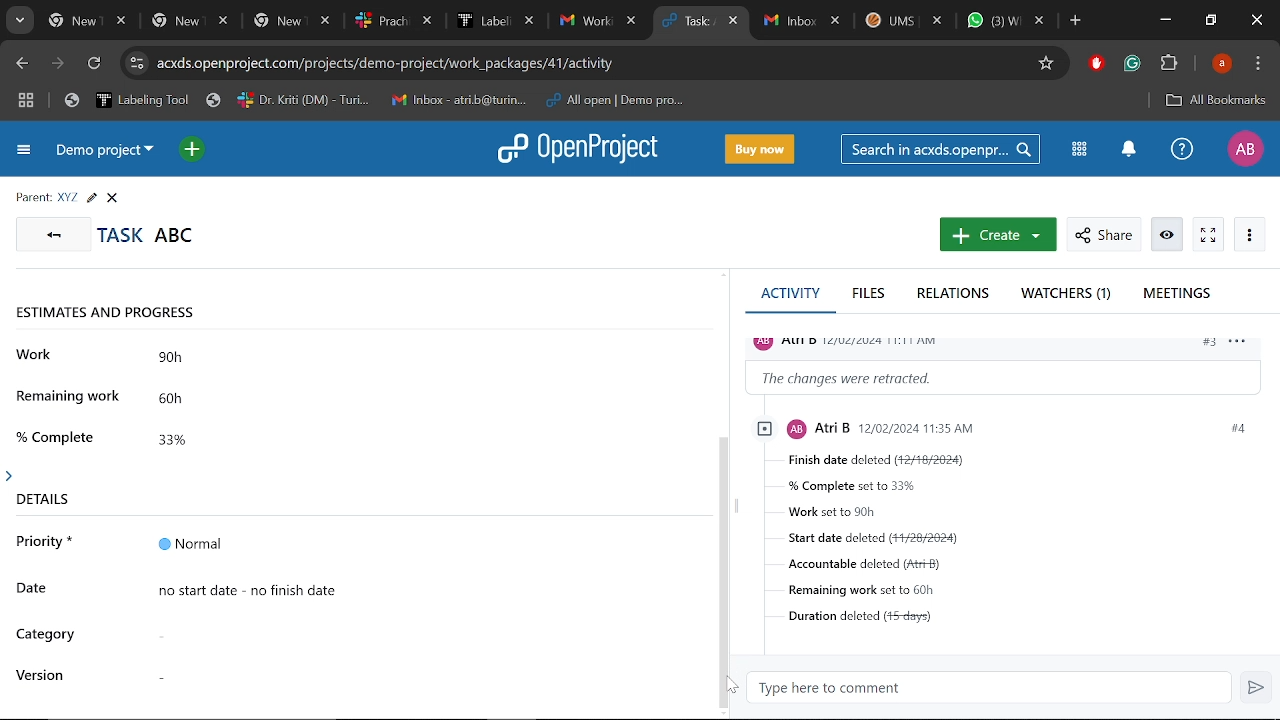 The width and height of the screenshot is (1280, 720). Describe the element at coordinates (1068, 294) in the screenshot. I see `Watchers` at that location.